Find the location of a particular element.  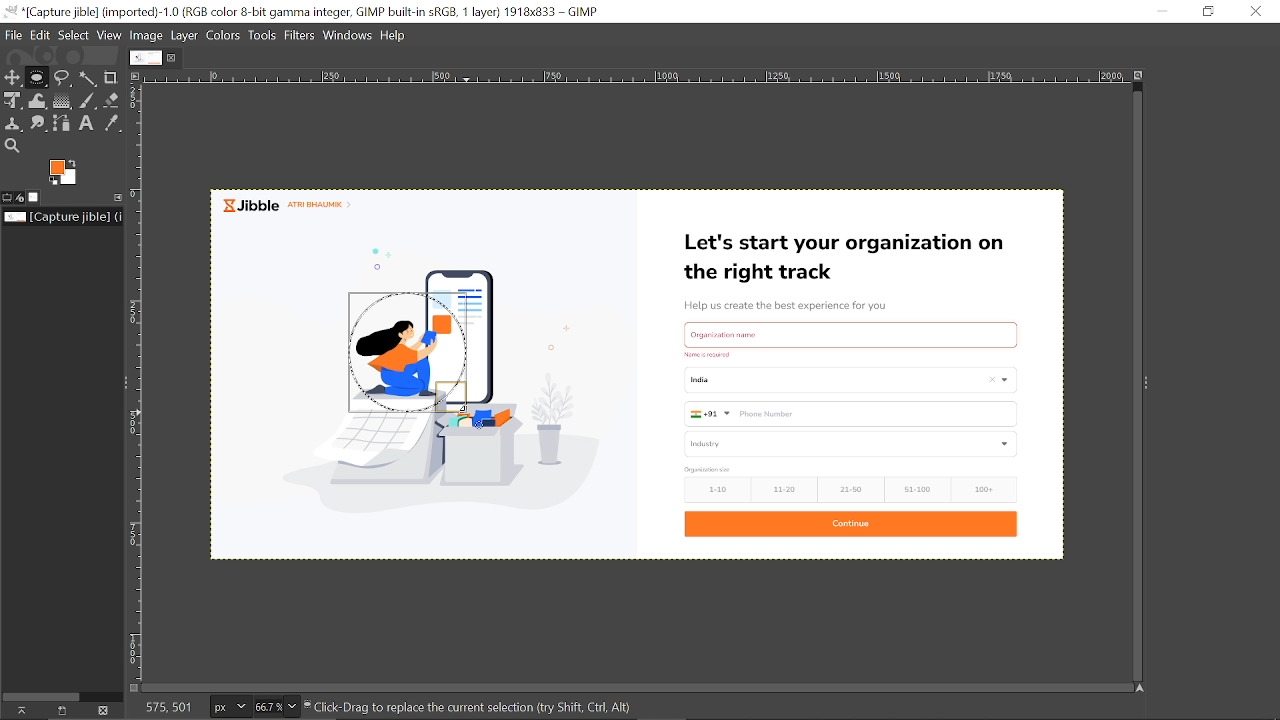

help is located at coordinates (396, 34).